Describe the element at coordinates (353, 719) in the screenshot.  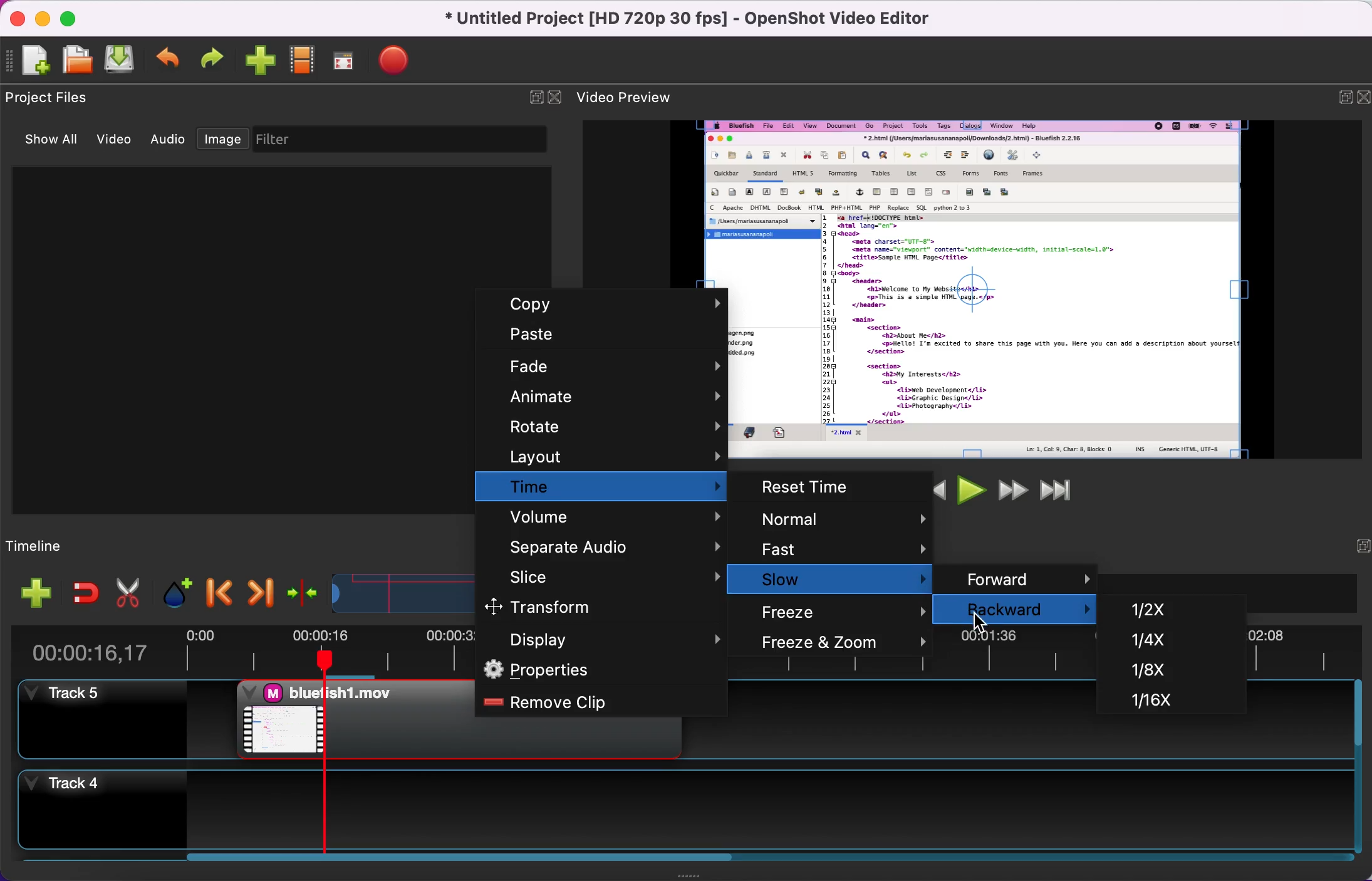
I see `video clip` at that location.